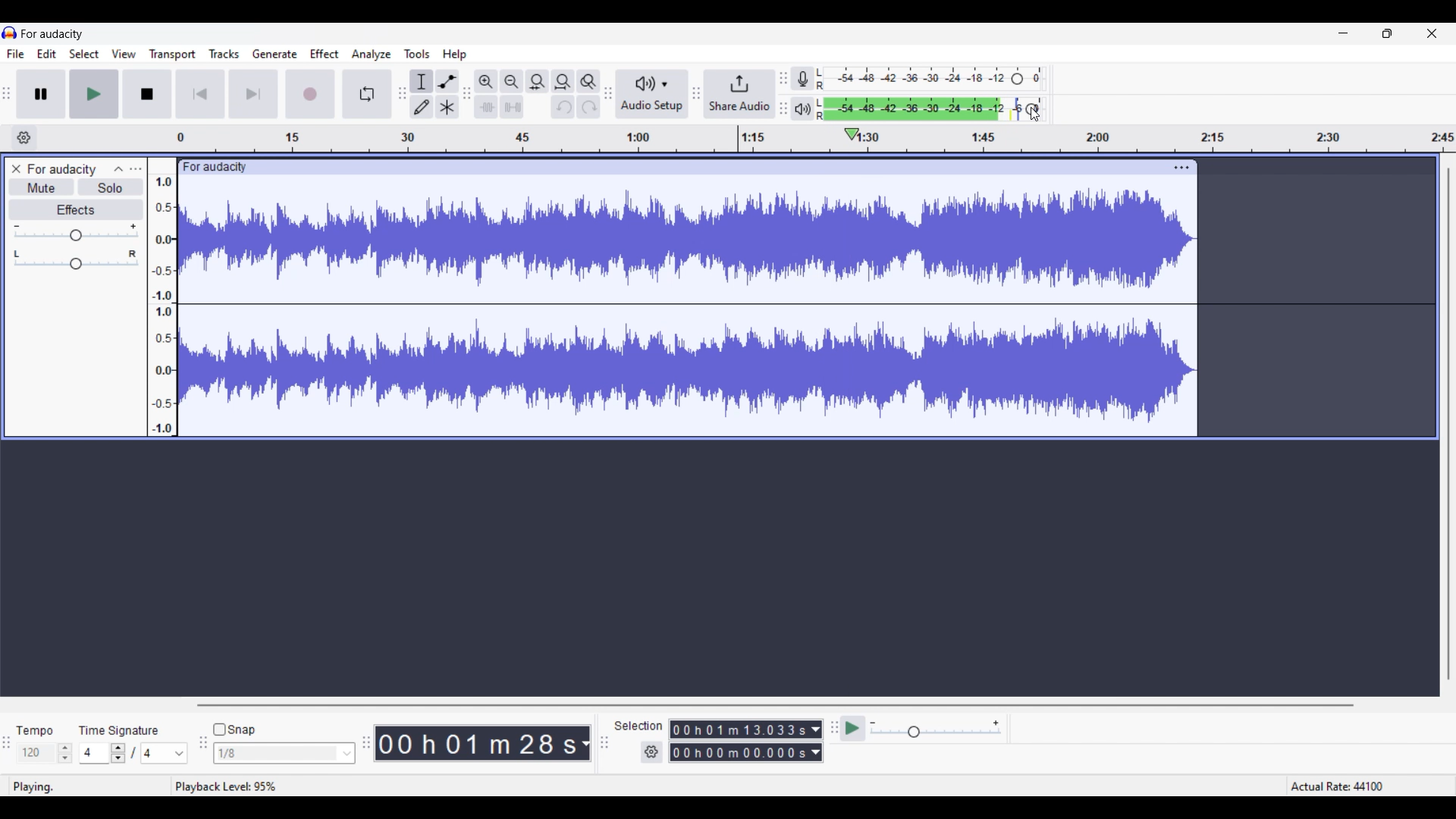  I want to click on Duration measurement options, so click(585, 743).